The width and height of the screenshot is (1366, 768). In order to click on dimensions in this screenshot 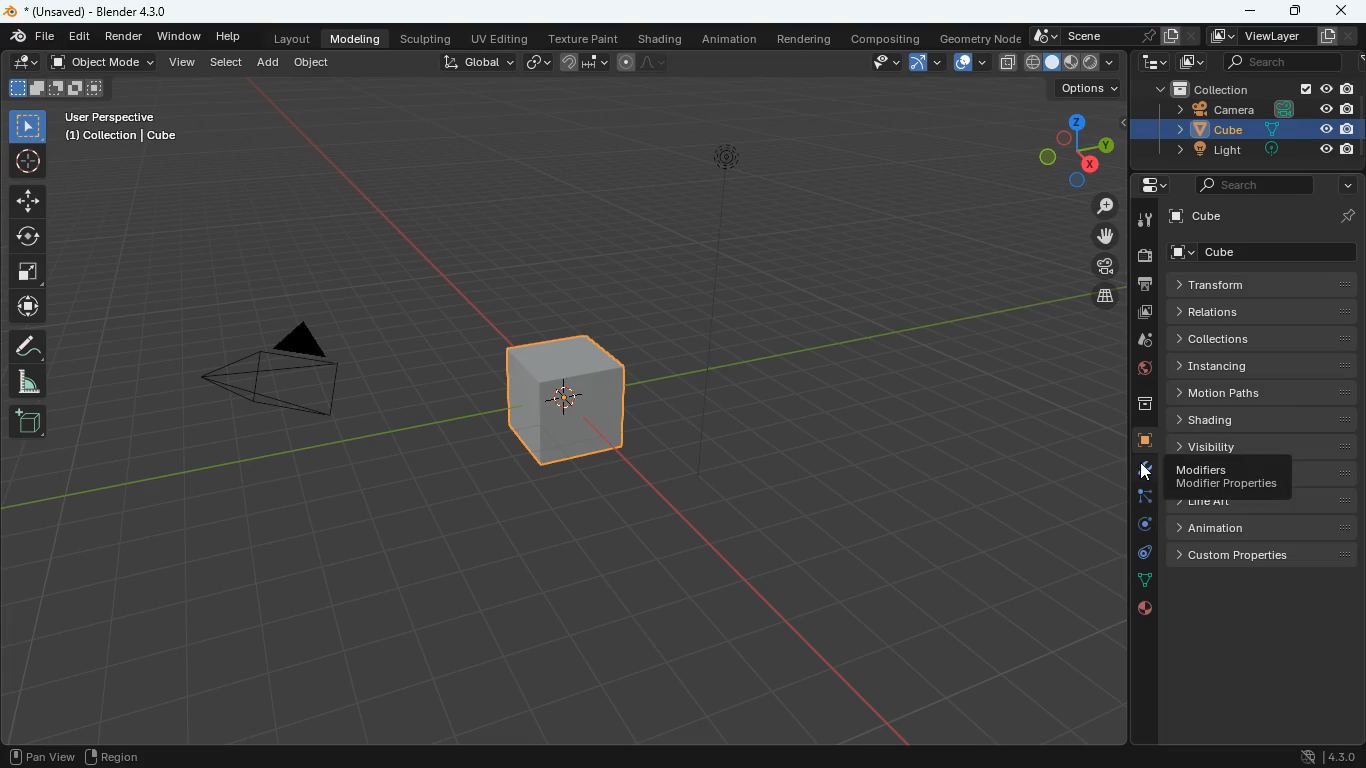, I will do `click(1070, 149)`.